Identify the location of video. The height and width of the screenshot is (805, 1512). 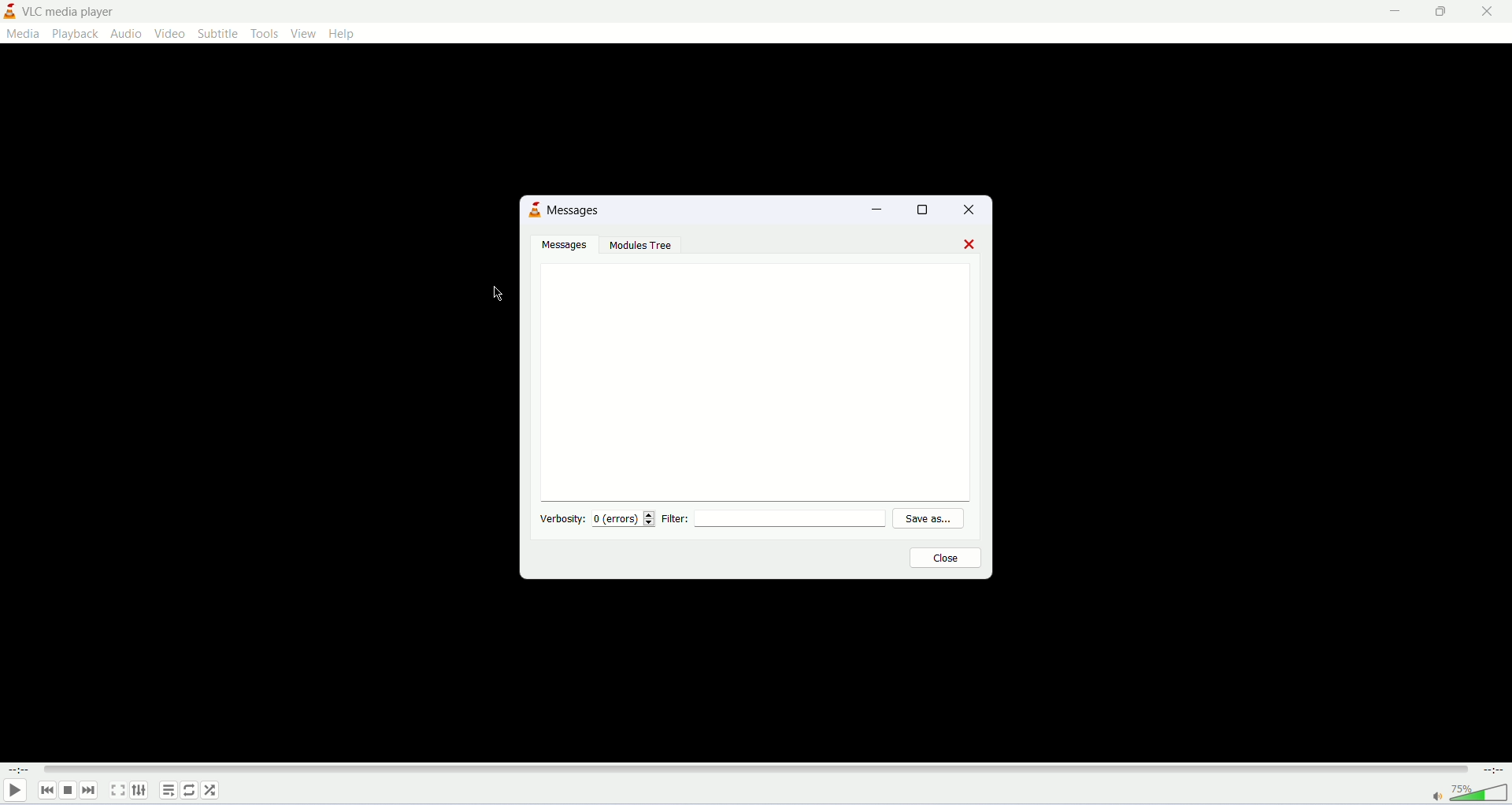
(170, 33).